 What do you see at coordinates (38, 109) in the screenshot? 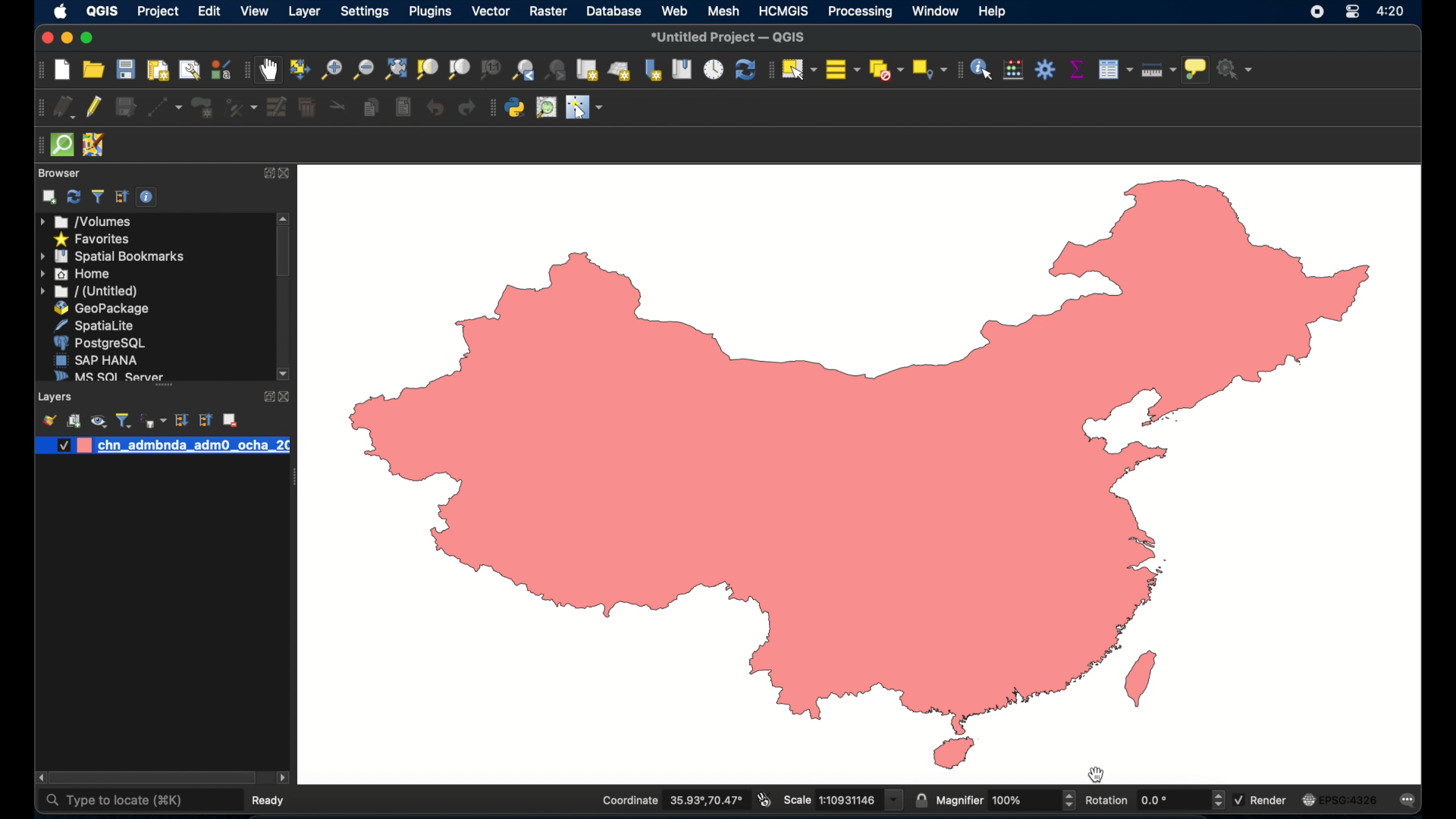
I see `digitizing toolbar` at bounding box center [38, 109].